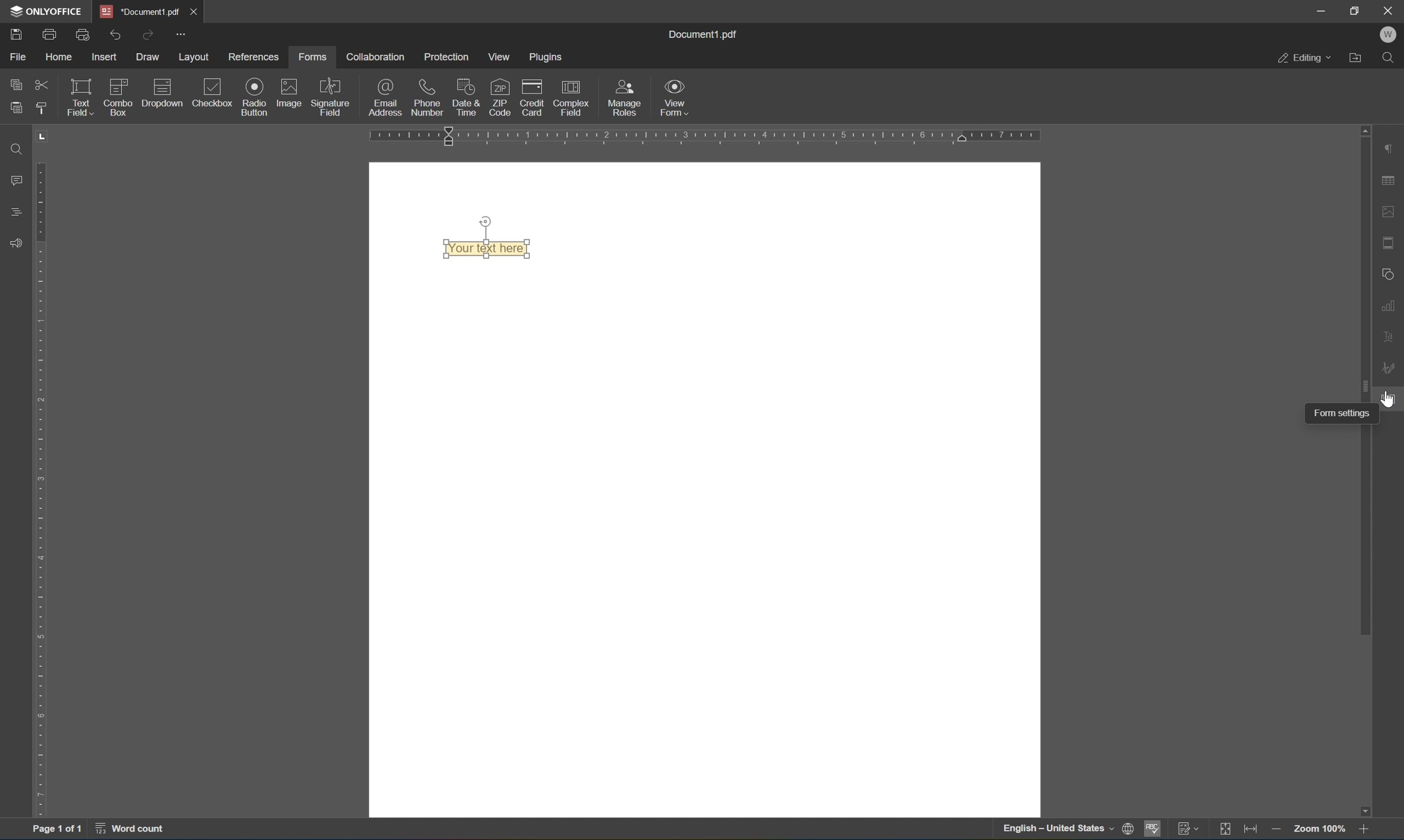  What do you see at coordinates (447, 57) in the screenshot?
I see `protection` at bounding box center [447, 57].